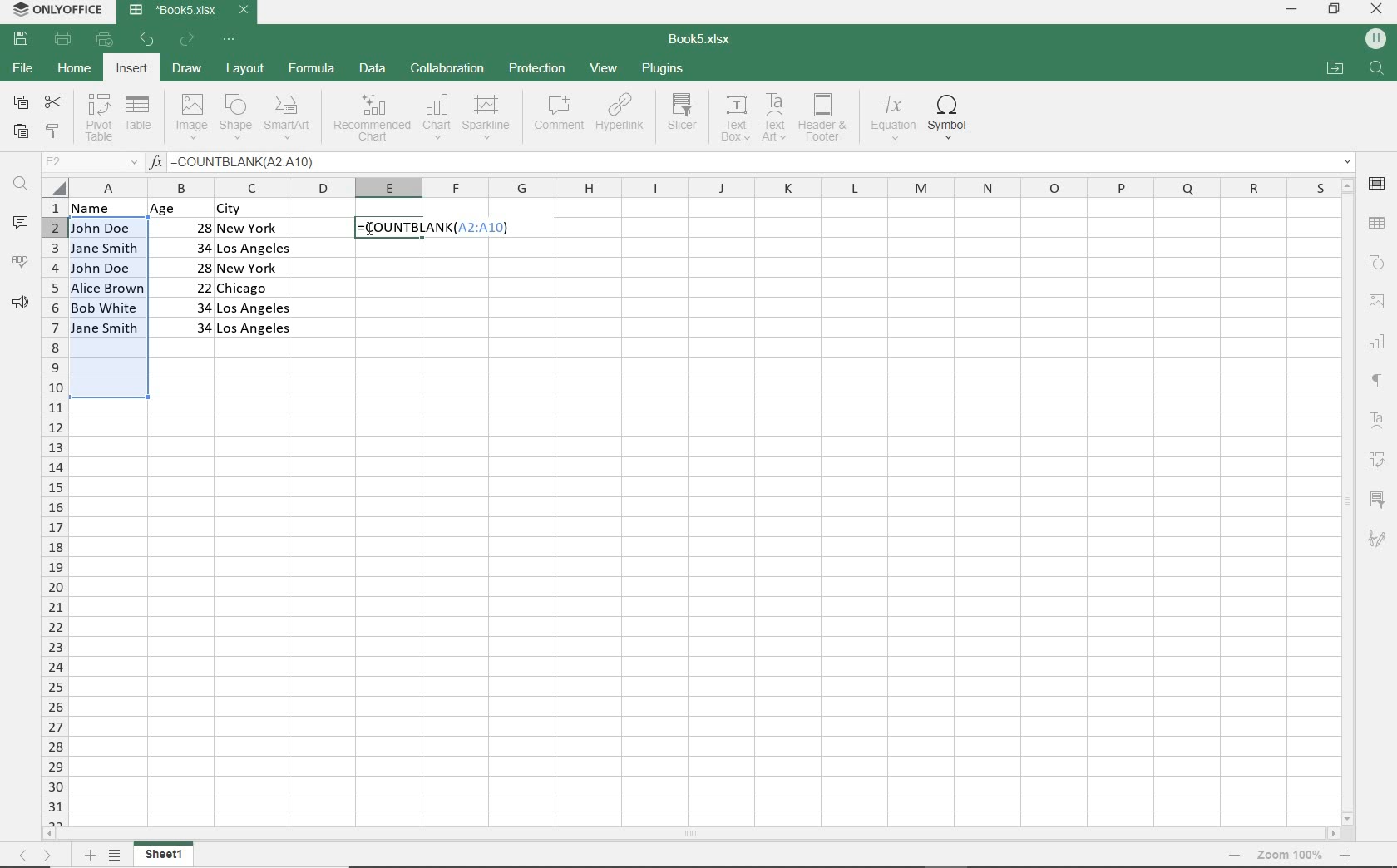  What do you see at coordinates (60, 9) in the screenshot?
I see `SYSTEM NAME` at bounding box center [60, 9].